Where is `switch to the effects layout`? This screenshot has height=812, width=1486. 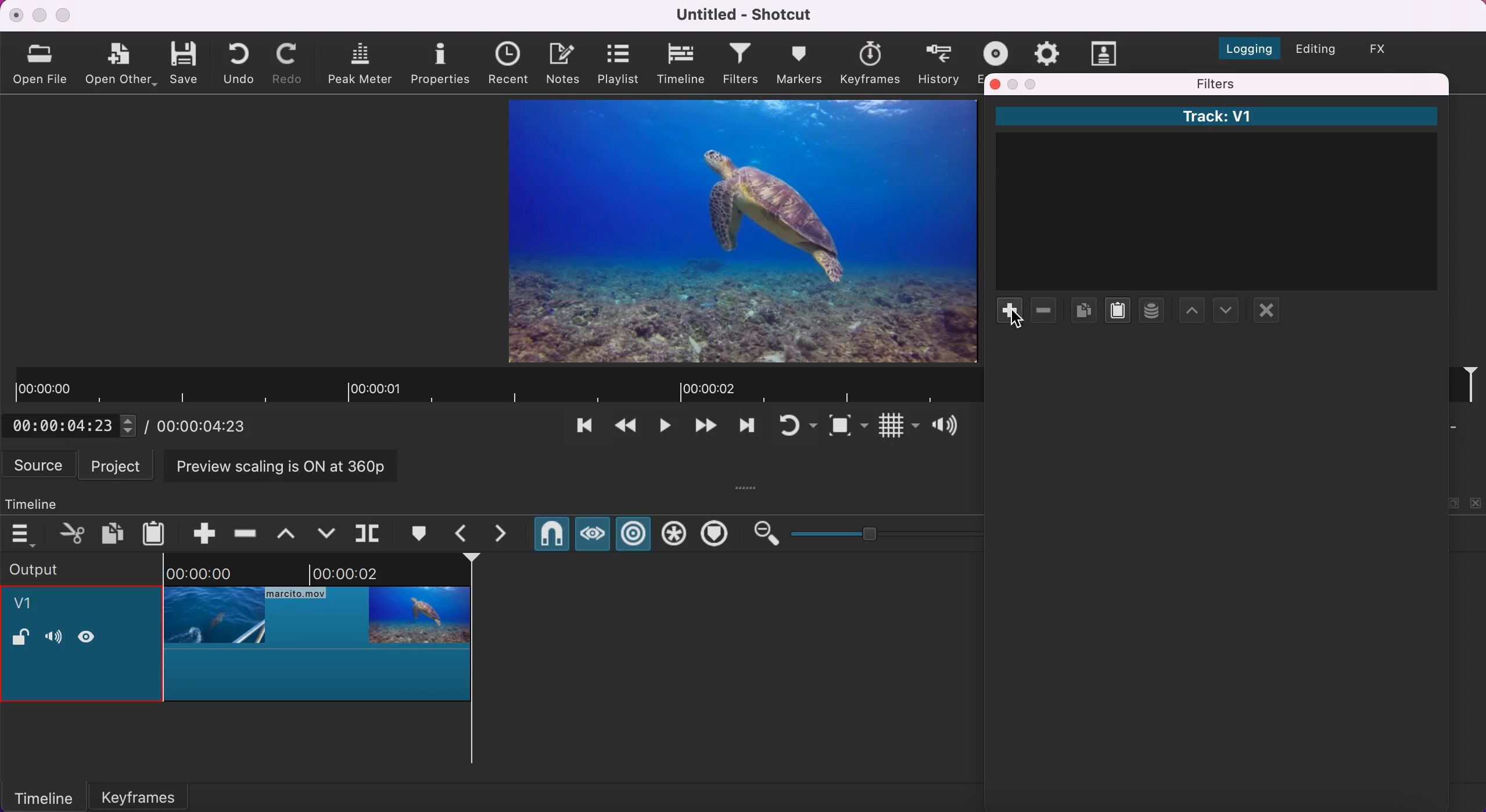 switch to the effects layout is located at coordinates (1387, 49).